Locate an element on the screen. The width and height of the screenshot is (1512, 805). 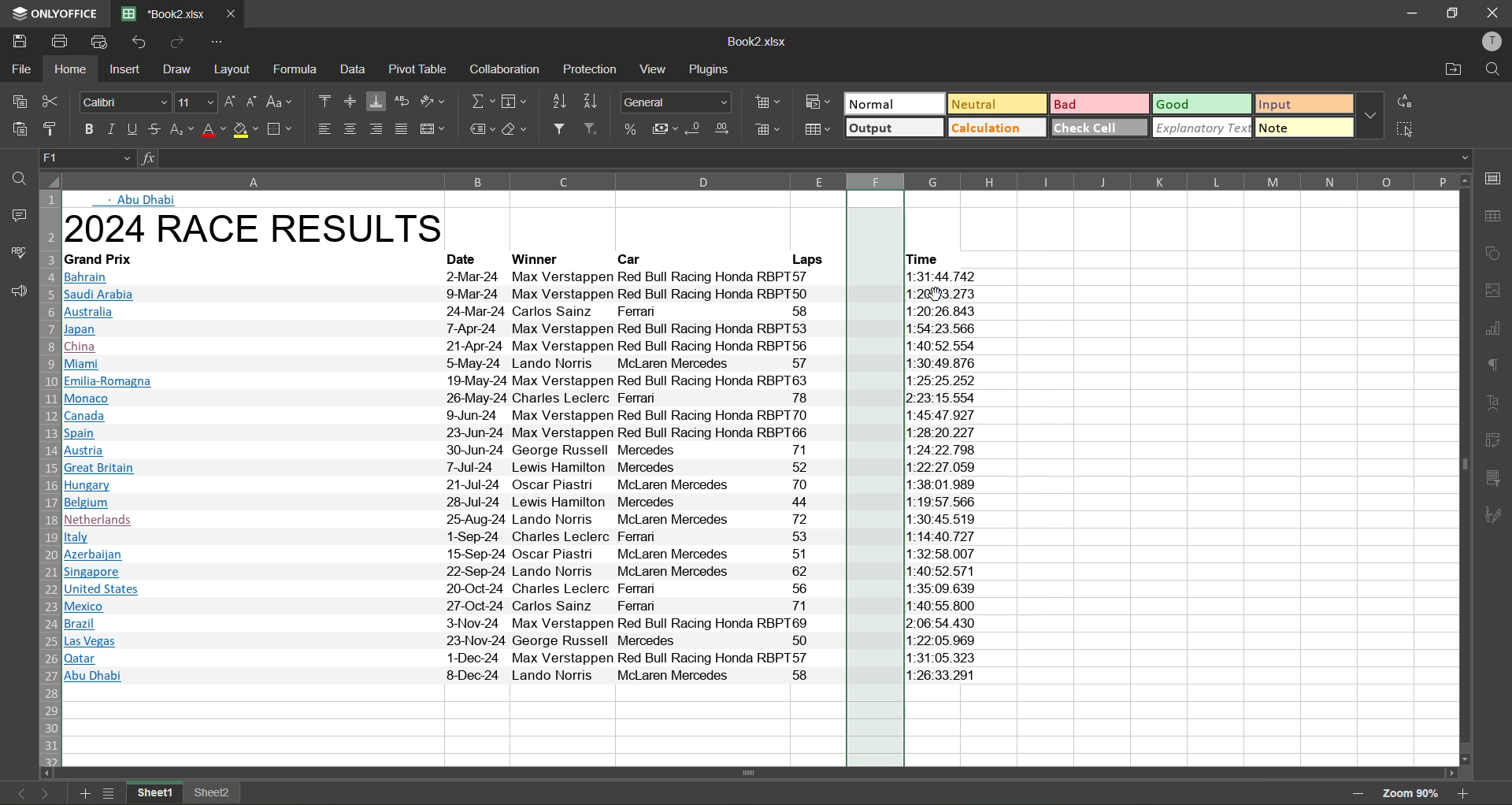
11:22:05.969 is located at coordinates (939, 641).